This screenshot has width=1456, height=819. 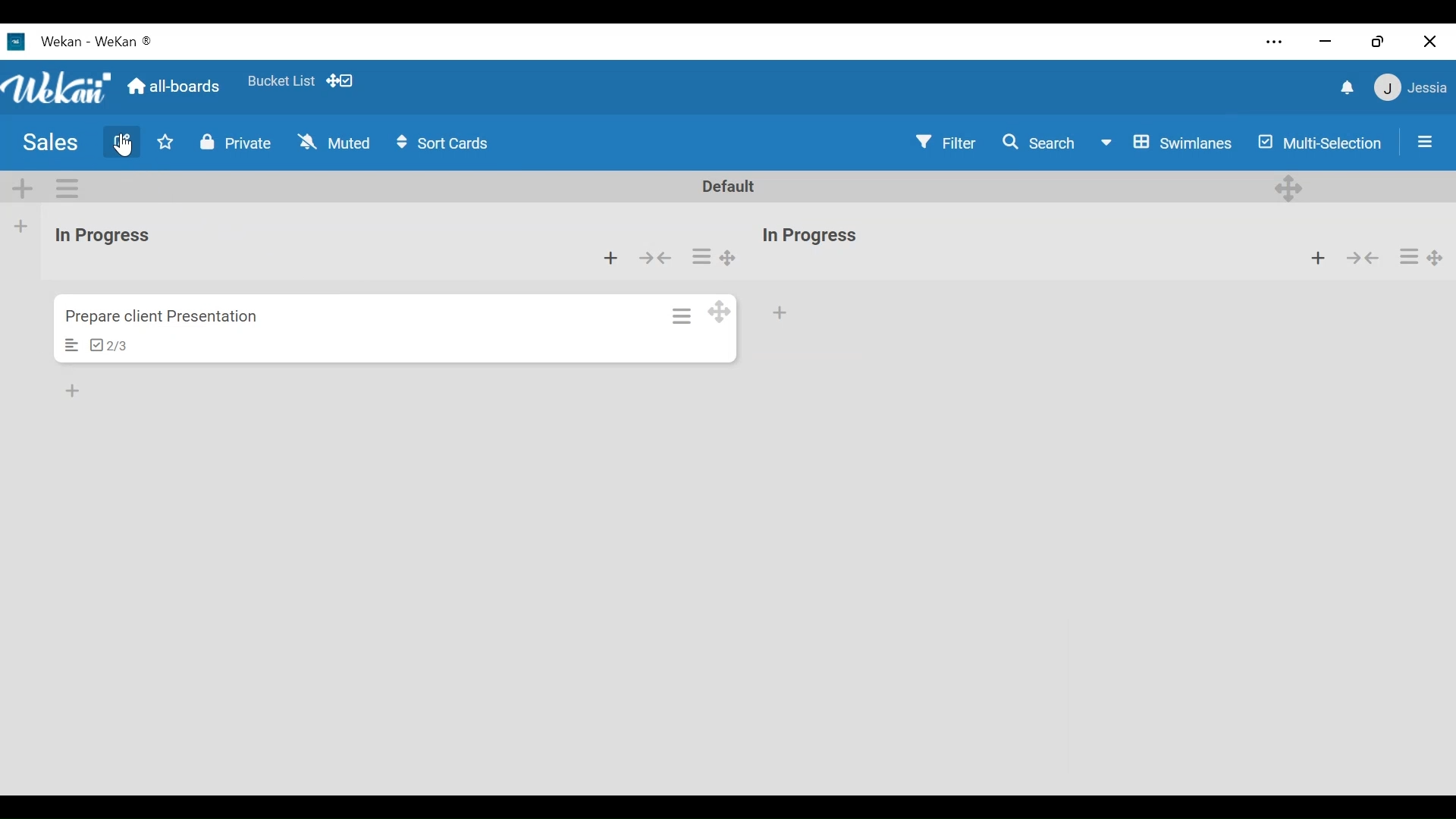 What do you see at coordinates (654, 259) in the screenshot?
I see `Collapse` at bounding box center [654, 259].